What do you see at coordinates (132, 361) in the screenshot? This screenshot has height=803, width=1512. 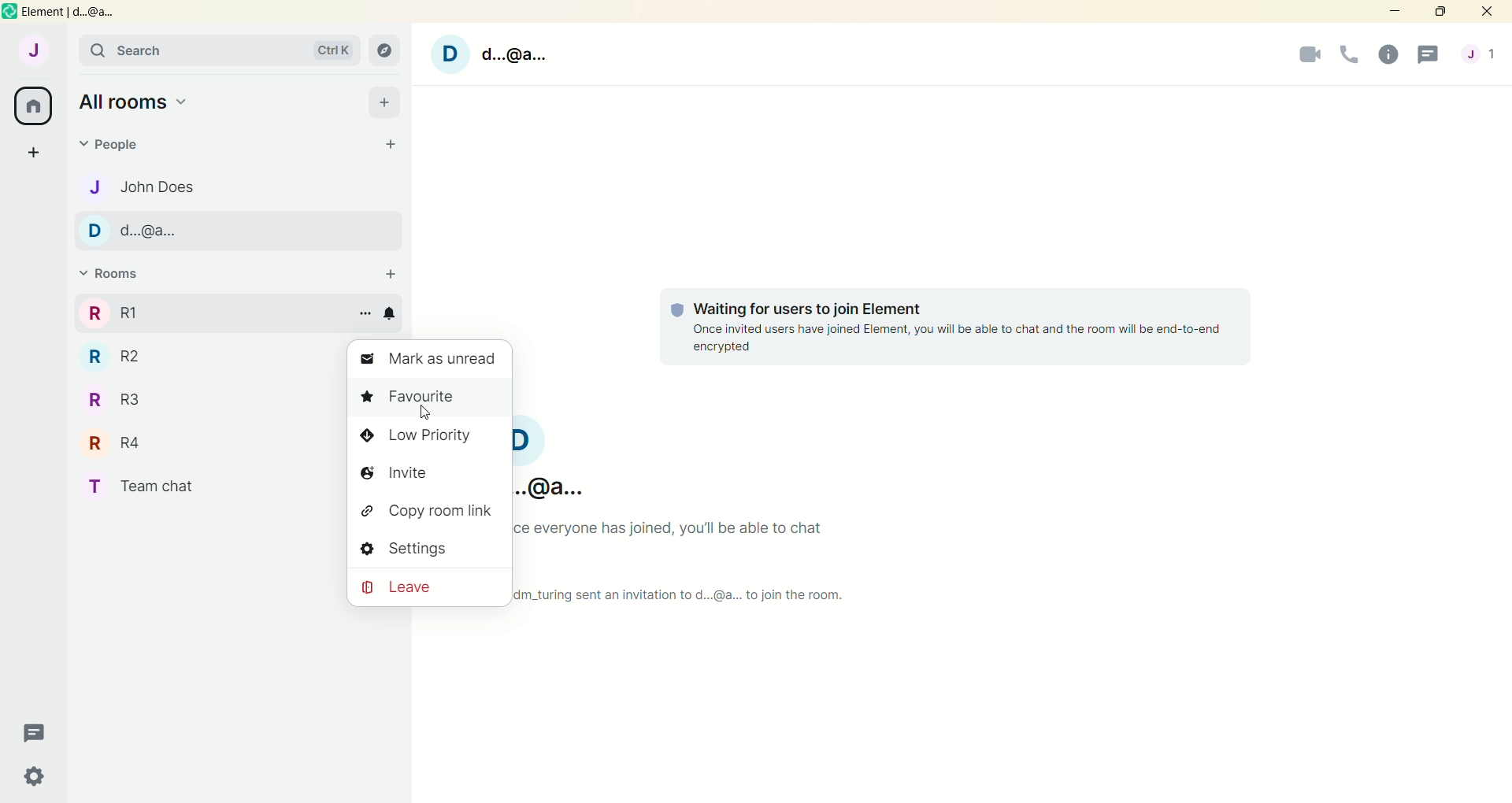 I see `R R2` at bounding box center [132, 361].